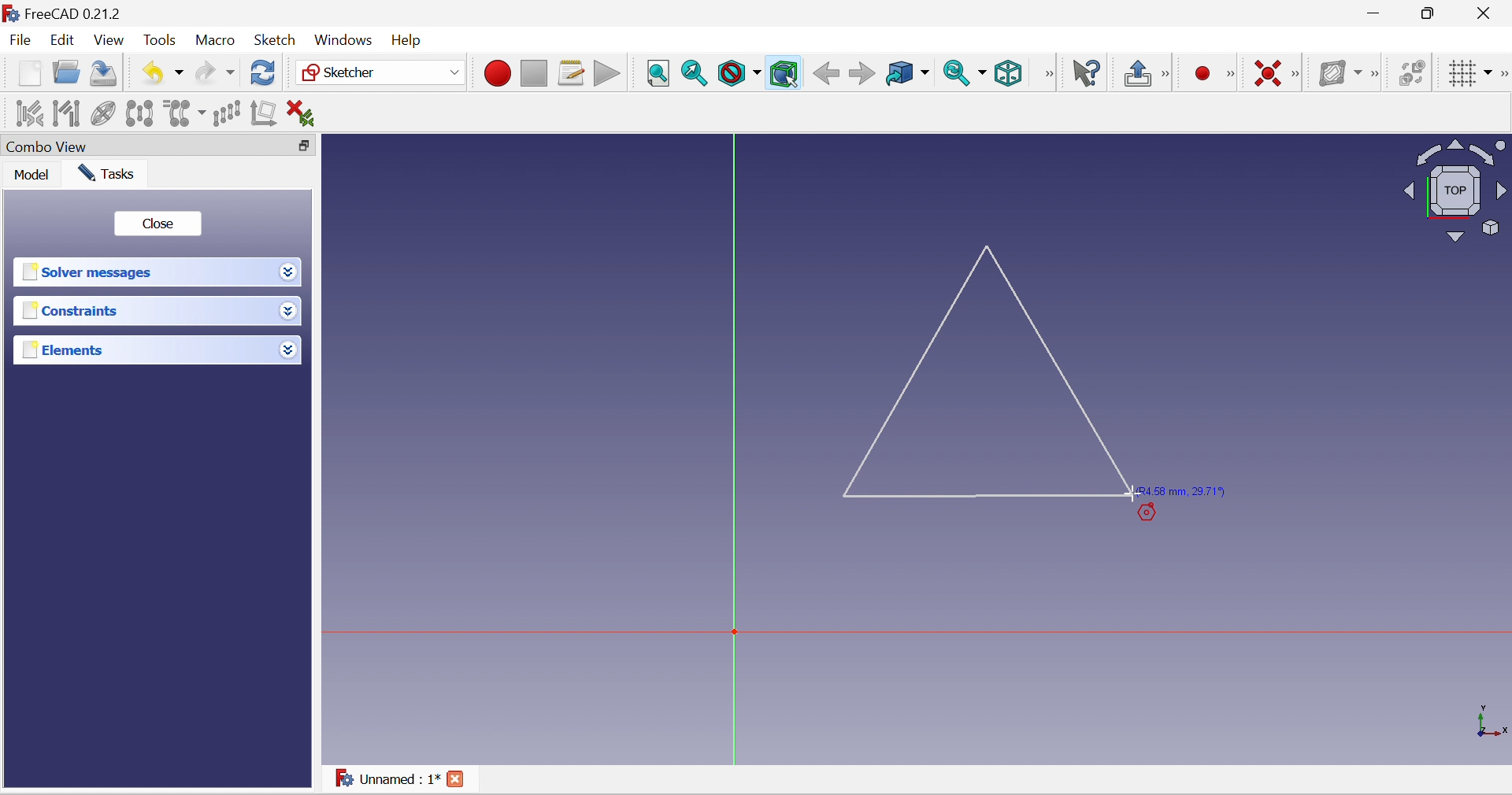 The height and width of the screenshot is (795, 1512). I want to click on Isometric, so click(1009, 73).